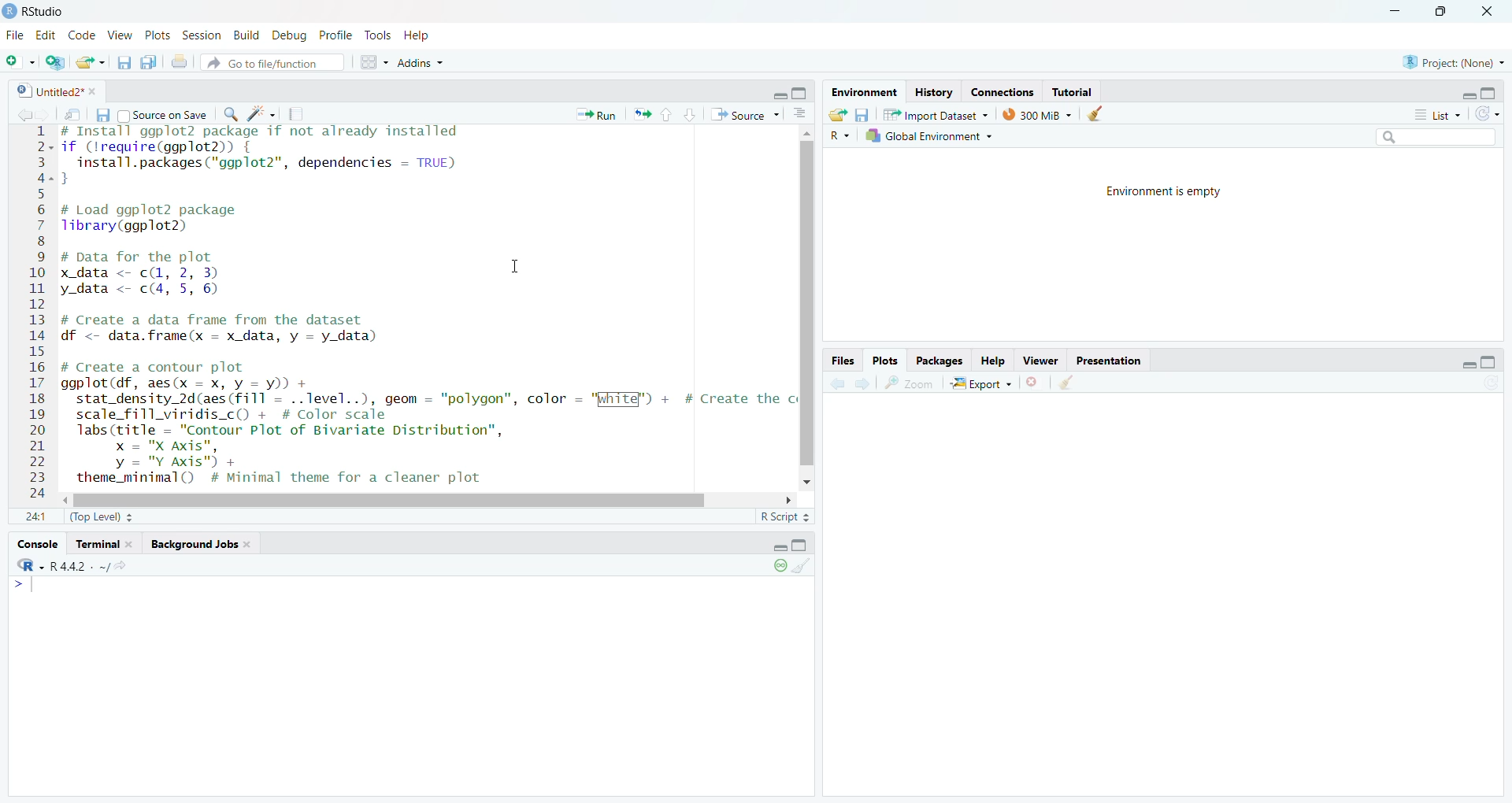  Describe the element at coordinates (29, 312) in the screenshot. I see `12345678910at12131415161718192021222324` at that location.